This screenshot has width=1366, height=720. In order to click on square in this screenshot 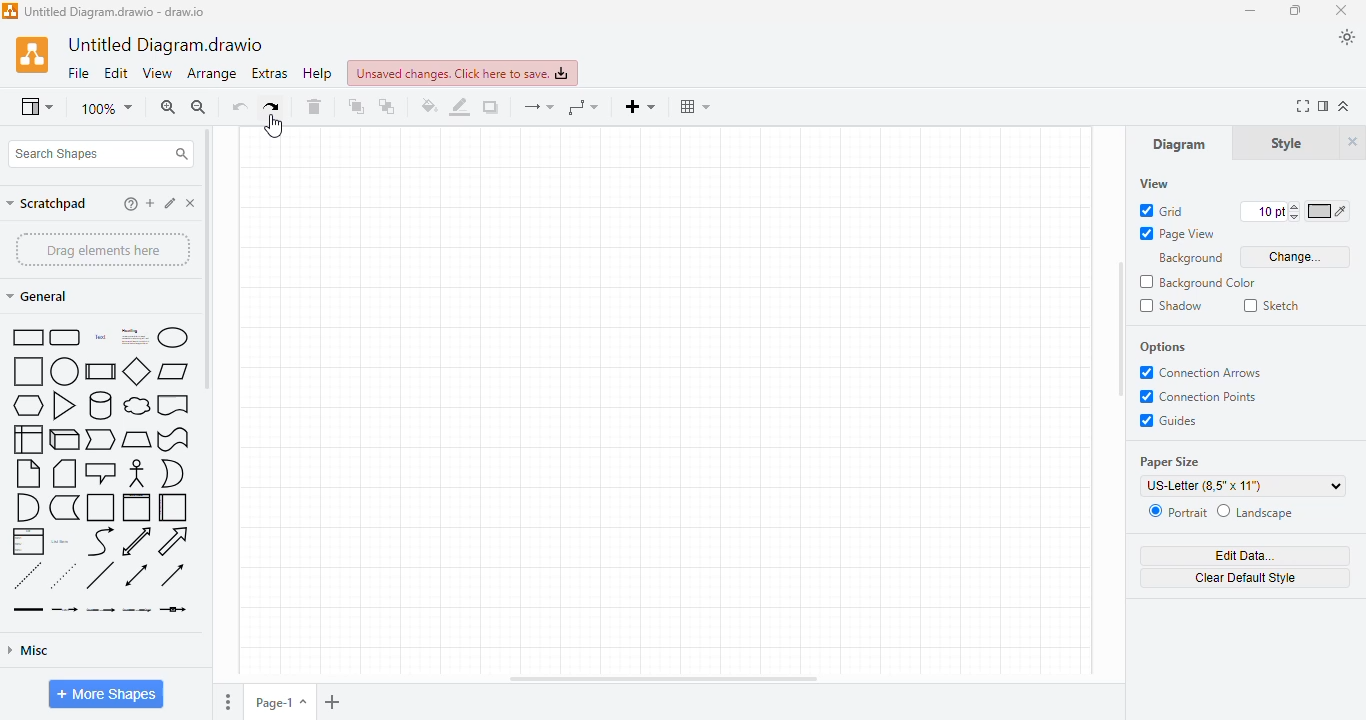, I will do `click(27, 372)`.